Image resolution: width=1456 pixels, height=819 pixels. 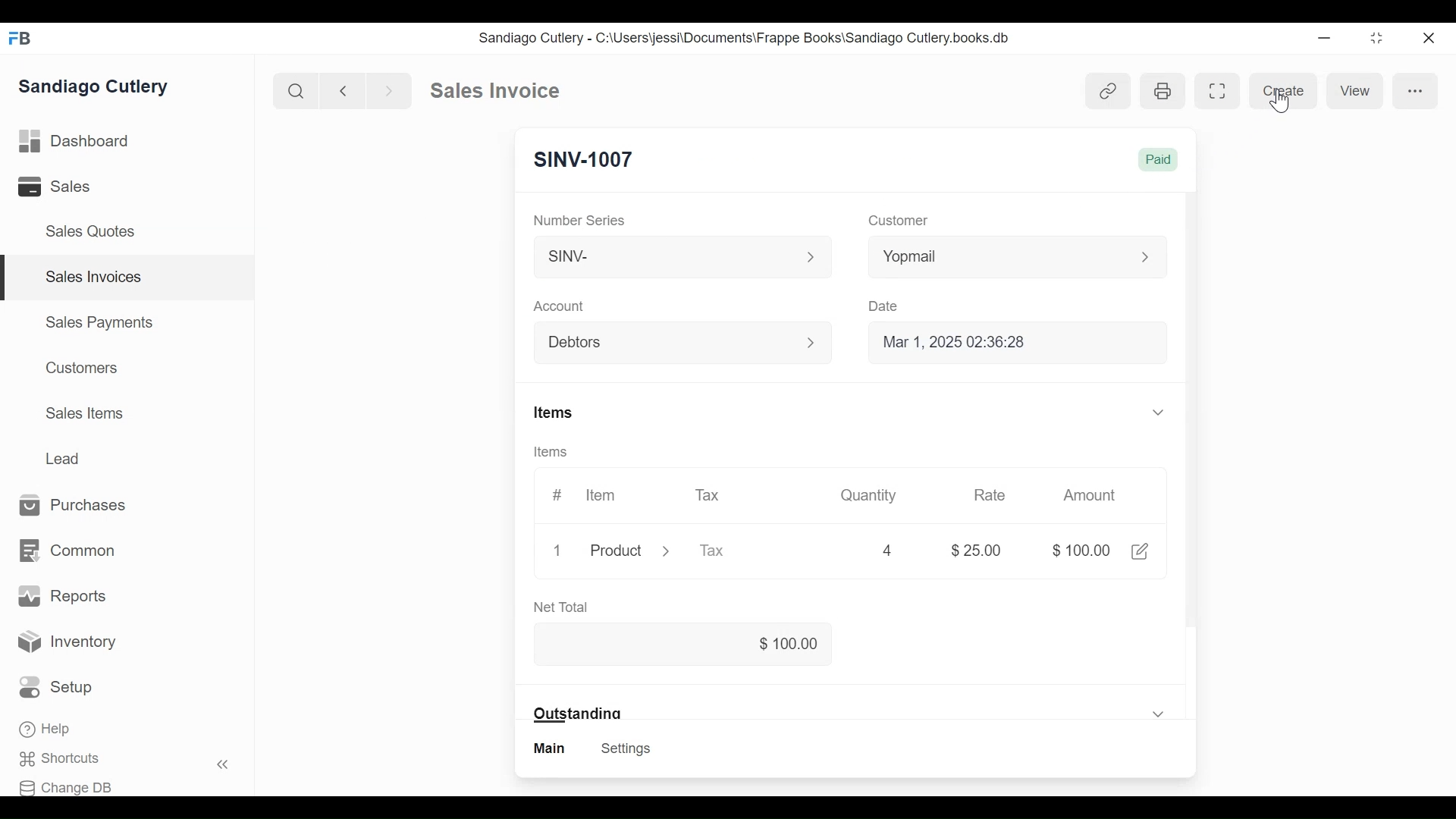 I want to click on 4, so click(x=887, y=550).